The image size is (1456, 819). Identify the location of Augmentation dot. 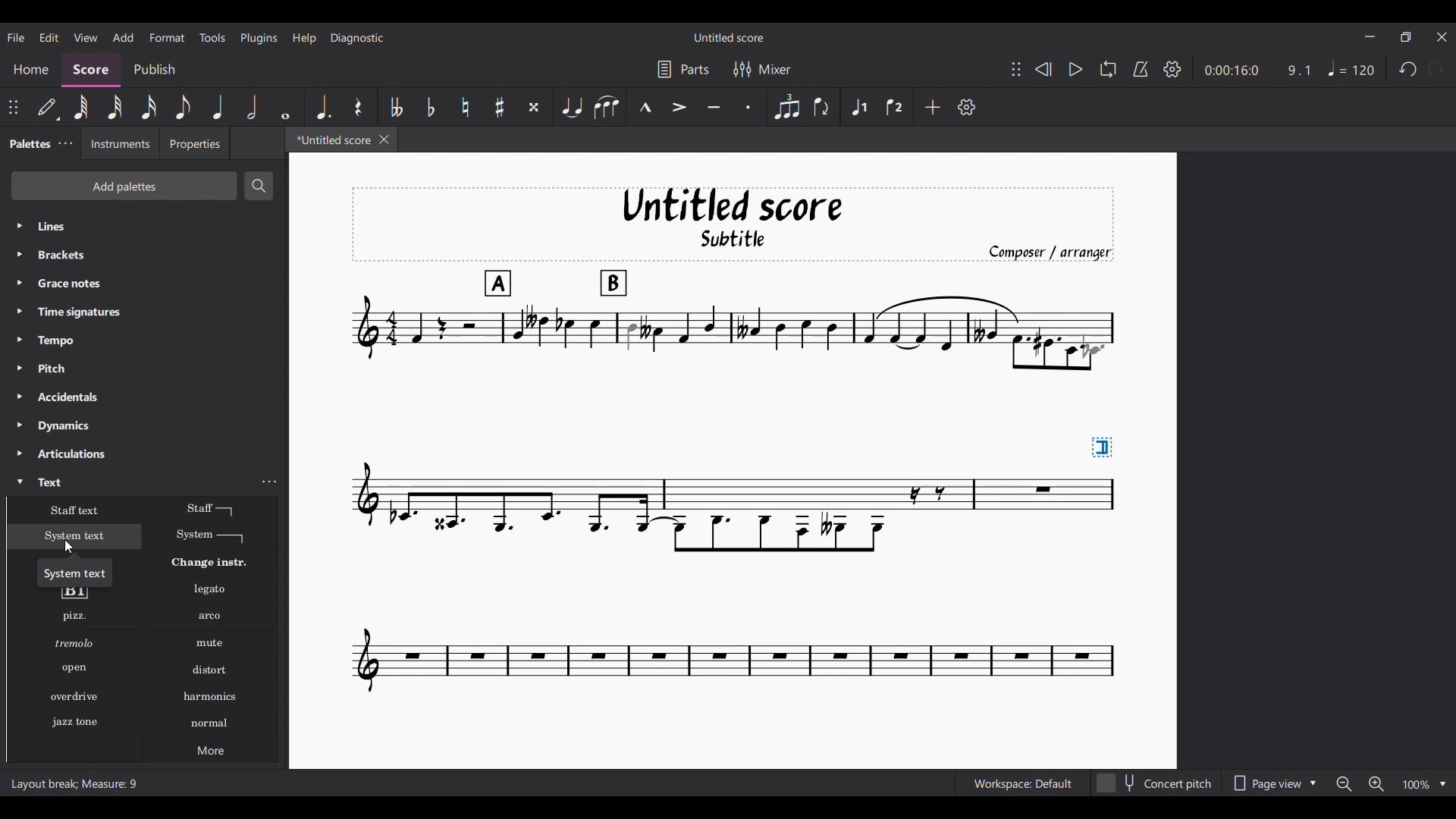
(322, 107).